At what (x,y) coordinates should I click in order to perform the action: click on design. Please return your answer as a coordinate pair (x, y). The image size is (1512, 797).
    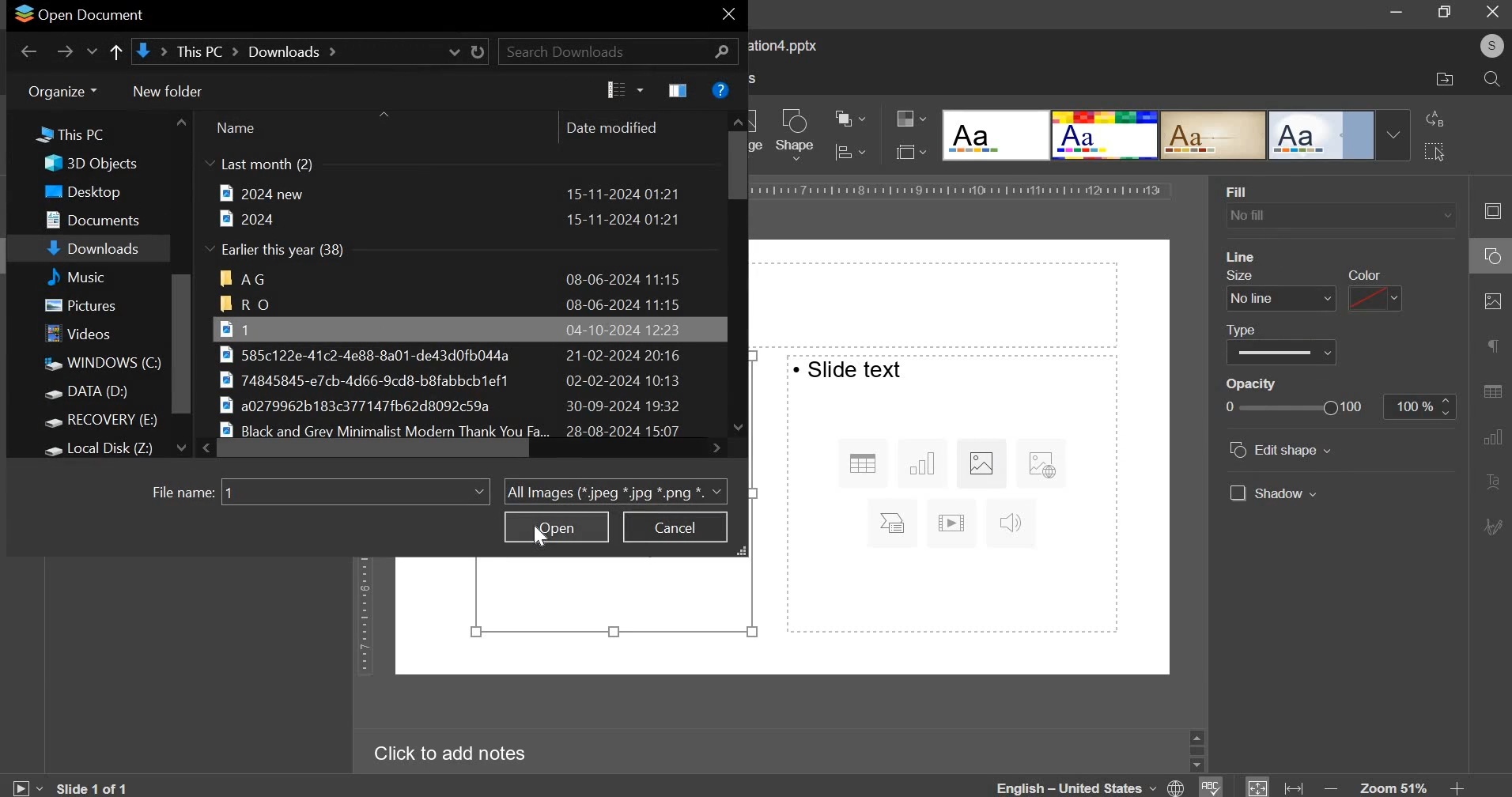
    Looking at the image, I should click on (1323, 136).